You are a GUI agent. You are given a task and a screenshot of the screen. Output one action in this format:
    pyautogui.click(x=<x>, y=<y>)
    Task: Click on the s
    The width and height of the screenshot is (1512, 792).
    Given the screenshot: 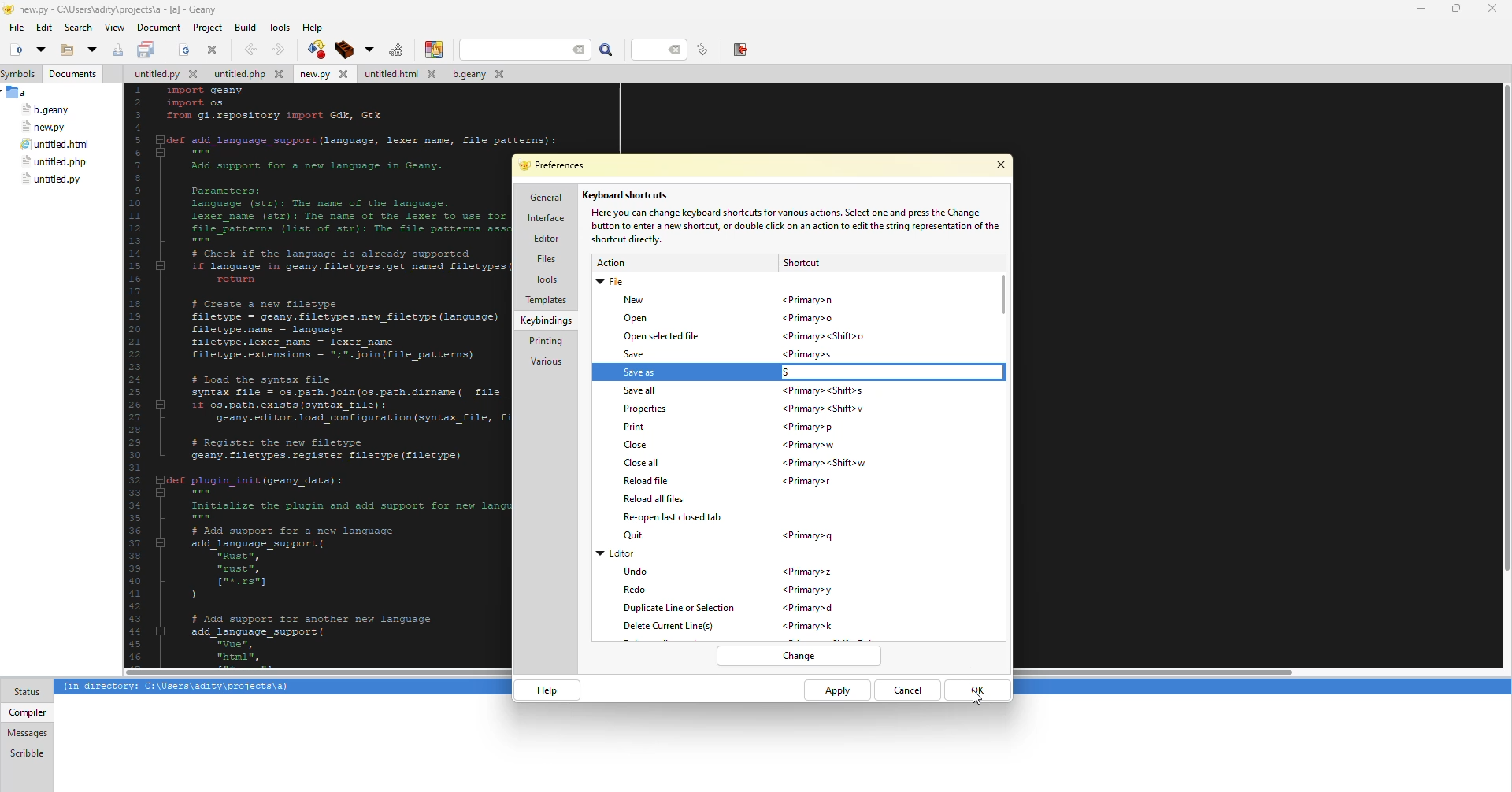 What is the action you would take?
    pyautogui.click(x=791, y=372)
    